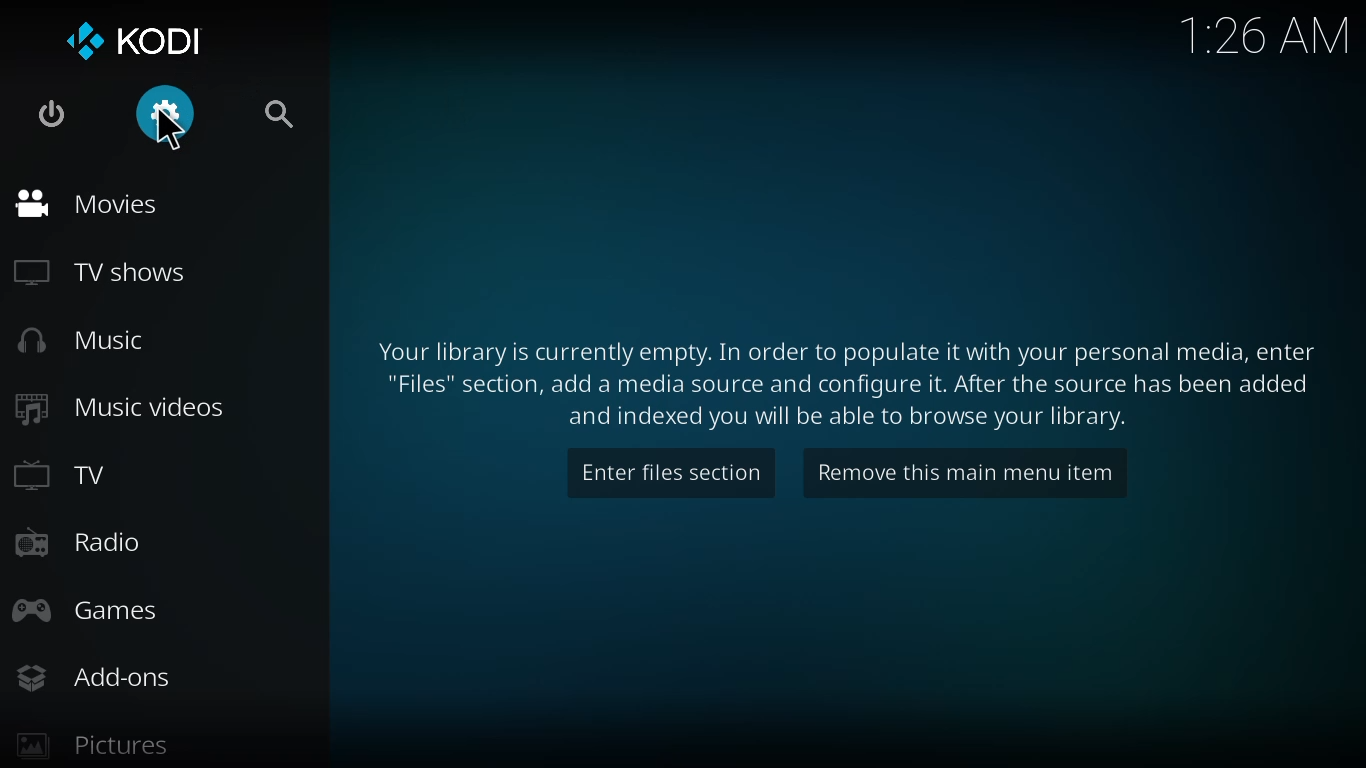 This screenshot has height=768, width=1366. What do you see at coordinates (89, 203) in the screenshot?
I see `movies` at bounding box center [89, 203].